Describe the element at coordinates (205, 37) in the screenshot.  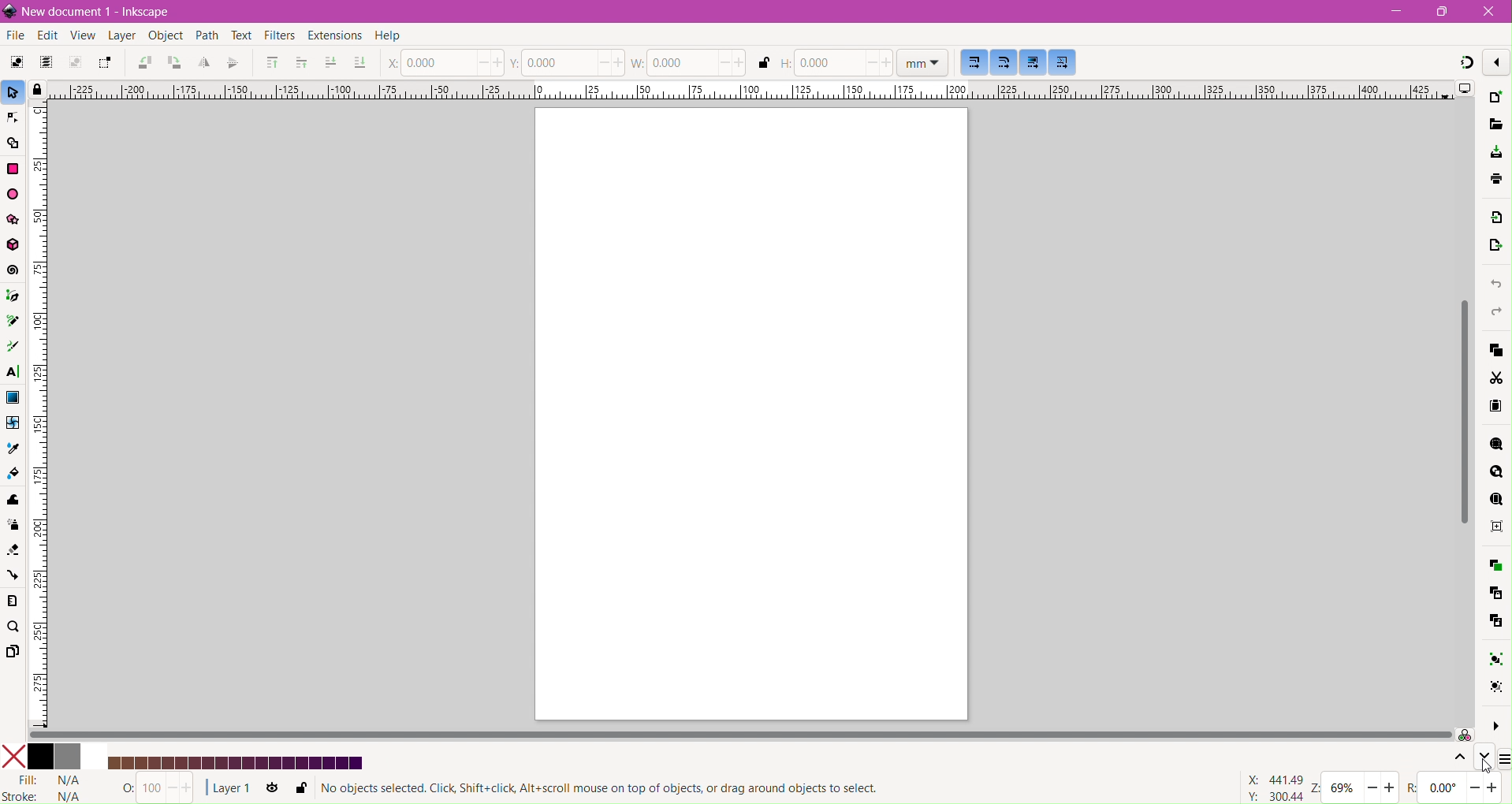
I see `Path` at that location.